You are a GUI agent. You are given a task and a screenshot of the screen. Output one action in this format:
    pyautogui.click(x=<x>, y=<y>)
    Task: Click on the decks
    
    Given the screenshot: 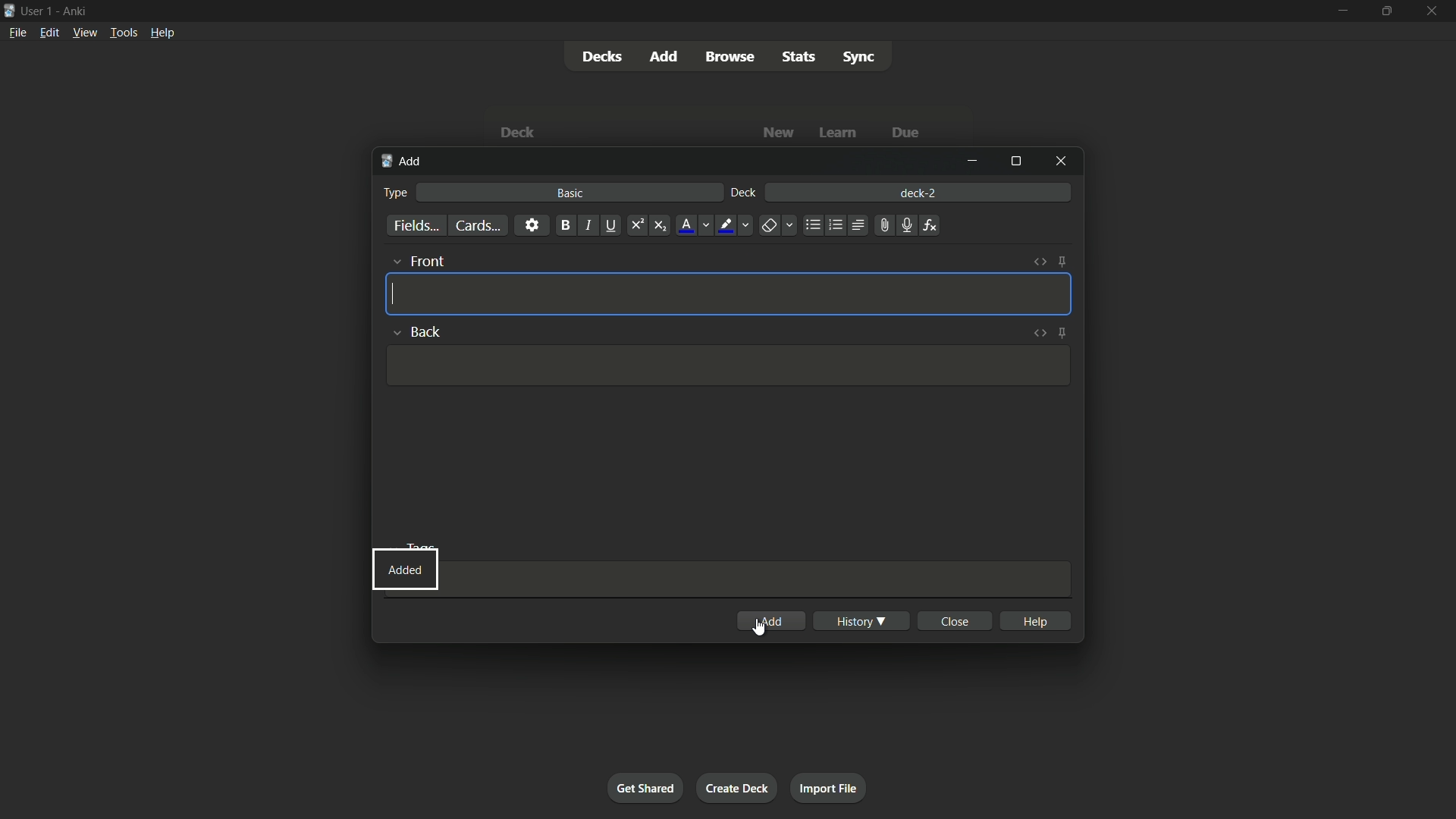 What is the action you would take?
    pyautogui.click(x=600, y=56)
    